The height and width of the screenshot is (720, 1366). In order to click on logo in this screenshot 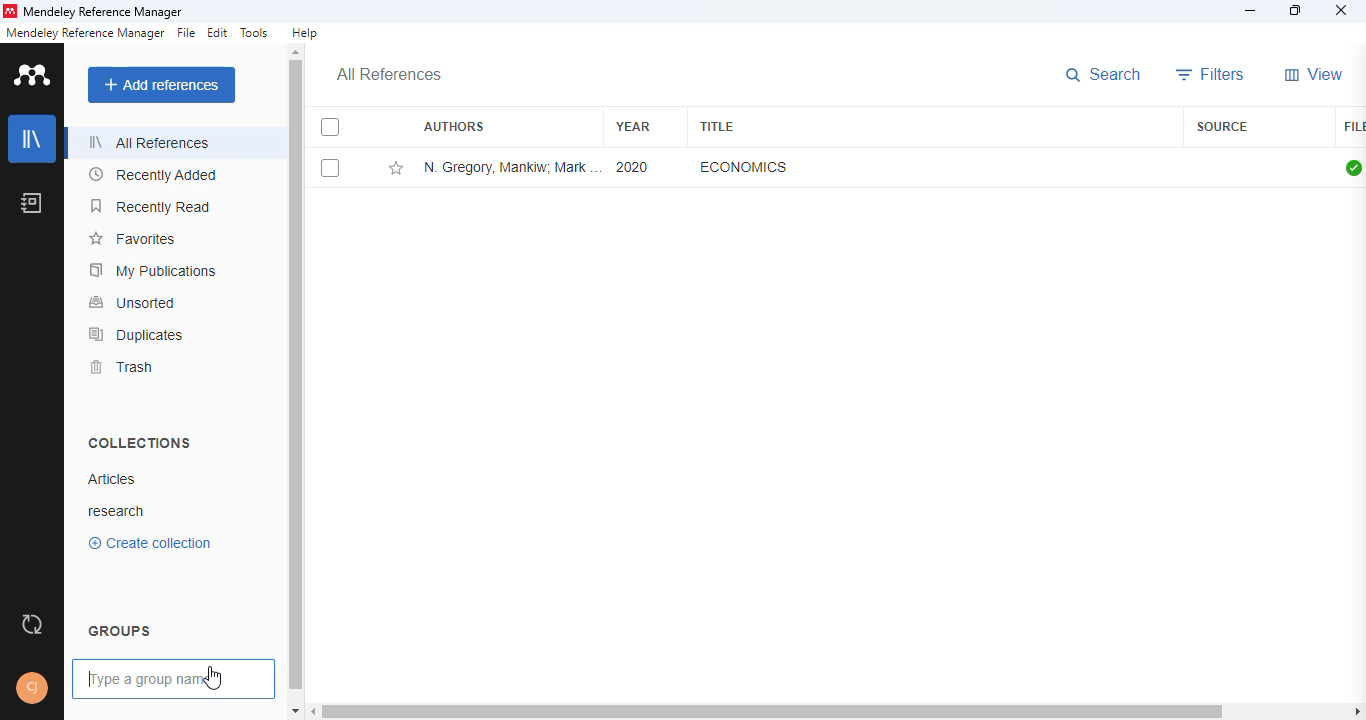, I will do `click(10, 11)`.